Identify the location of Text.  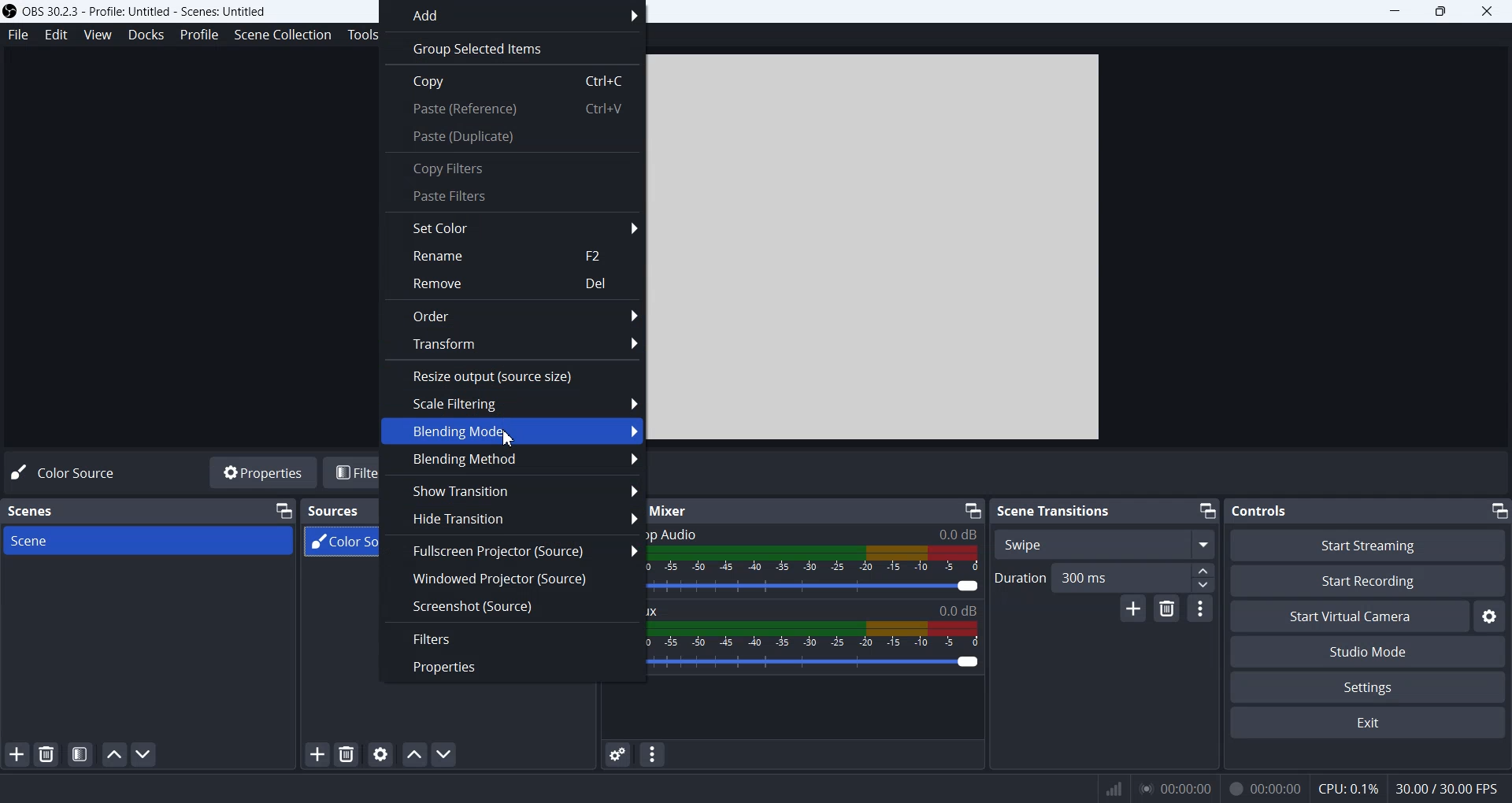
(1262, 510).